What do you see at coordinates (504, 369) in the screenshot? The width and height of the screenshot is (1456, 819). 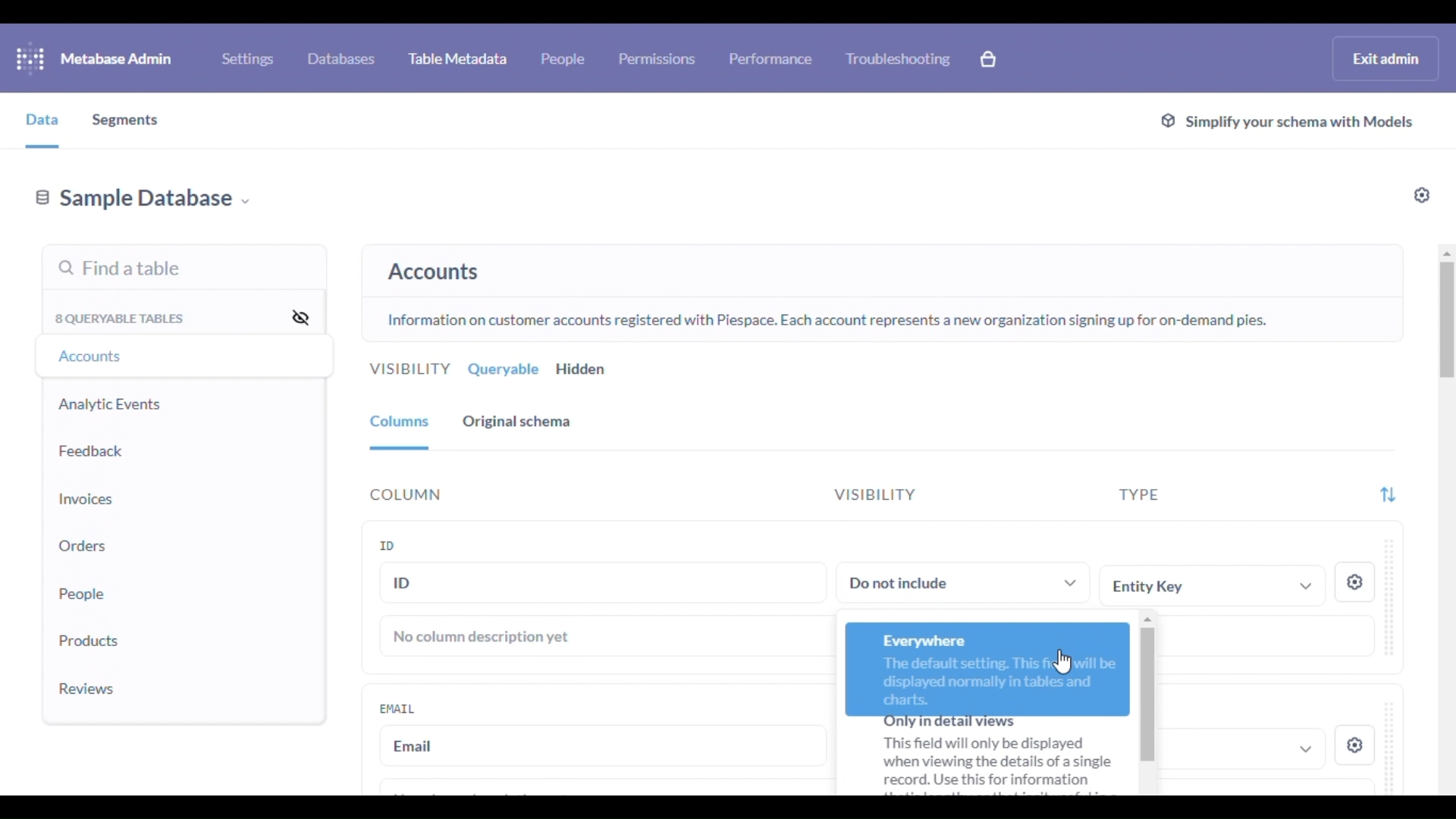 I see `queryable` at bounding box center [504, 369].